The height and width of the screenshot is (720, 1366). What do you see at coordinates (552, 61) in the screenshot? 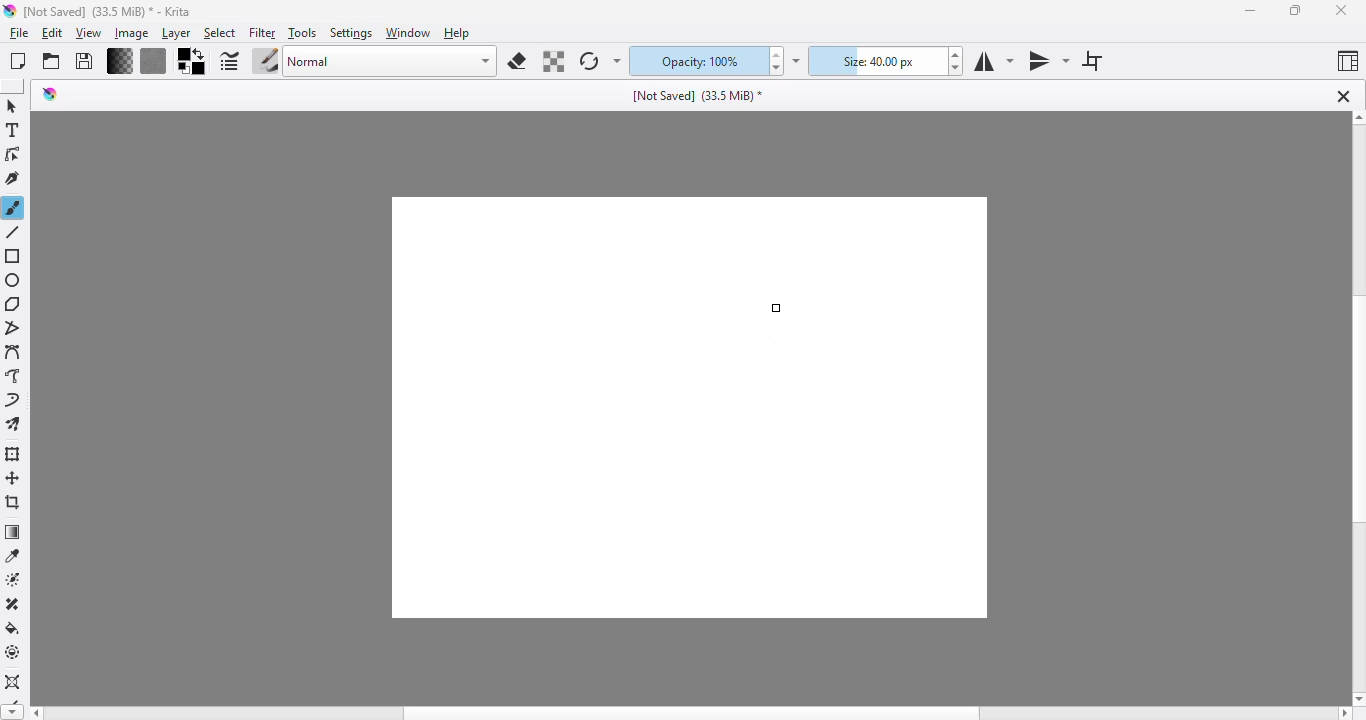
I see `preserve alpha` at bounding box center [552, 61].